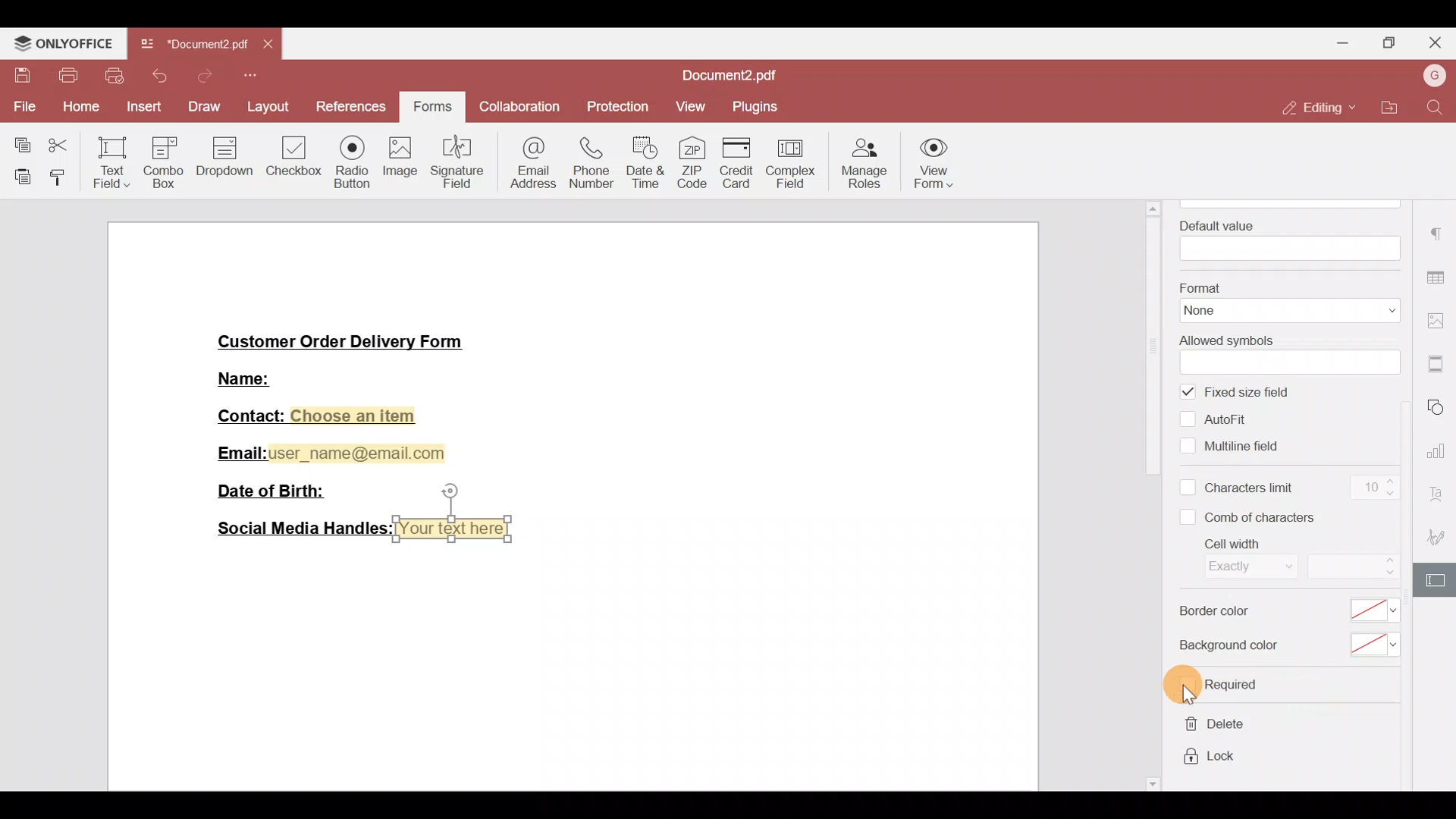 The width and height of the screenshot is (1456, 819). What do you see at coordinates (1439, 451) in the screenshot?
I see `Chart settings` at bounding box center [1439, 451].